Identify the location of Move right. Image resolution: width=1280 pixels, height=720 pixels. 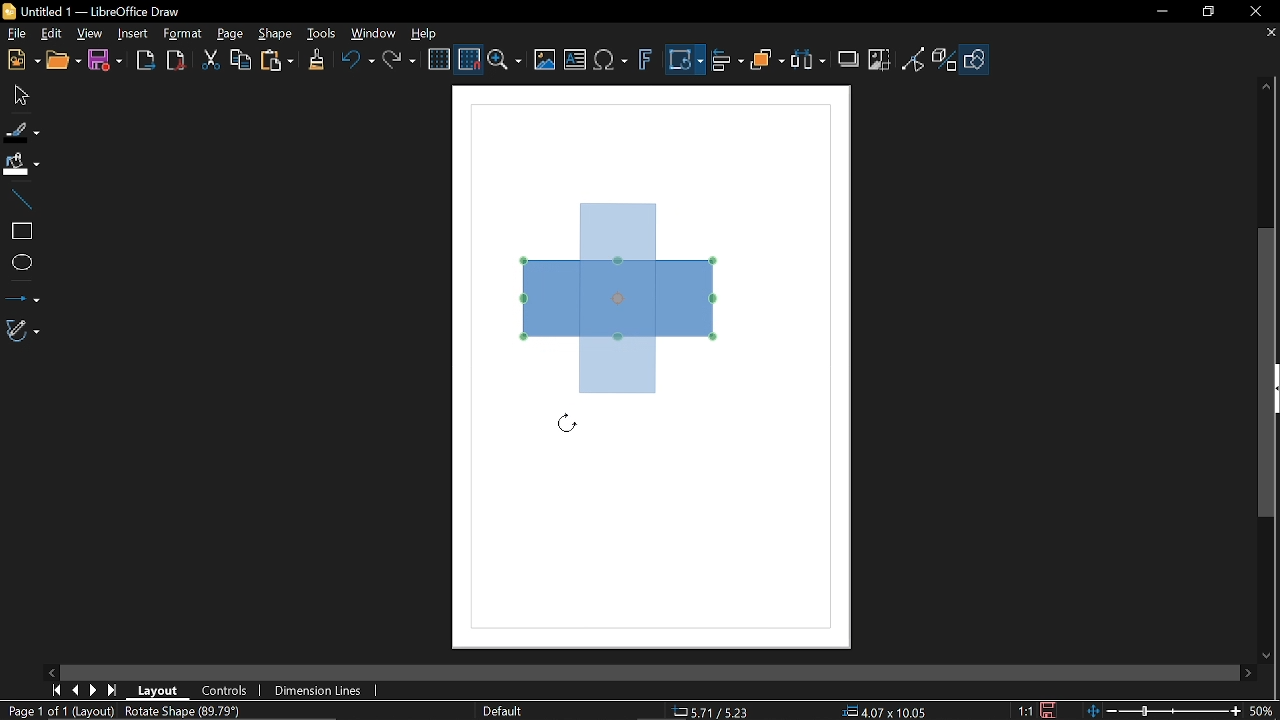
(1250, 674).